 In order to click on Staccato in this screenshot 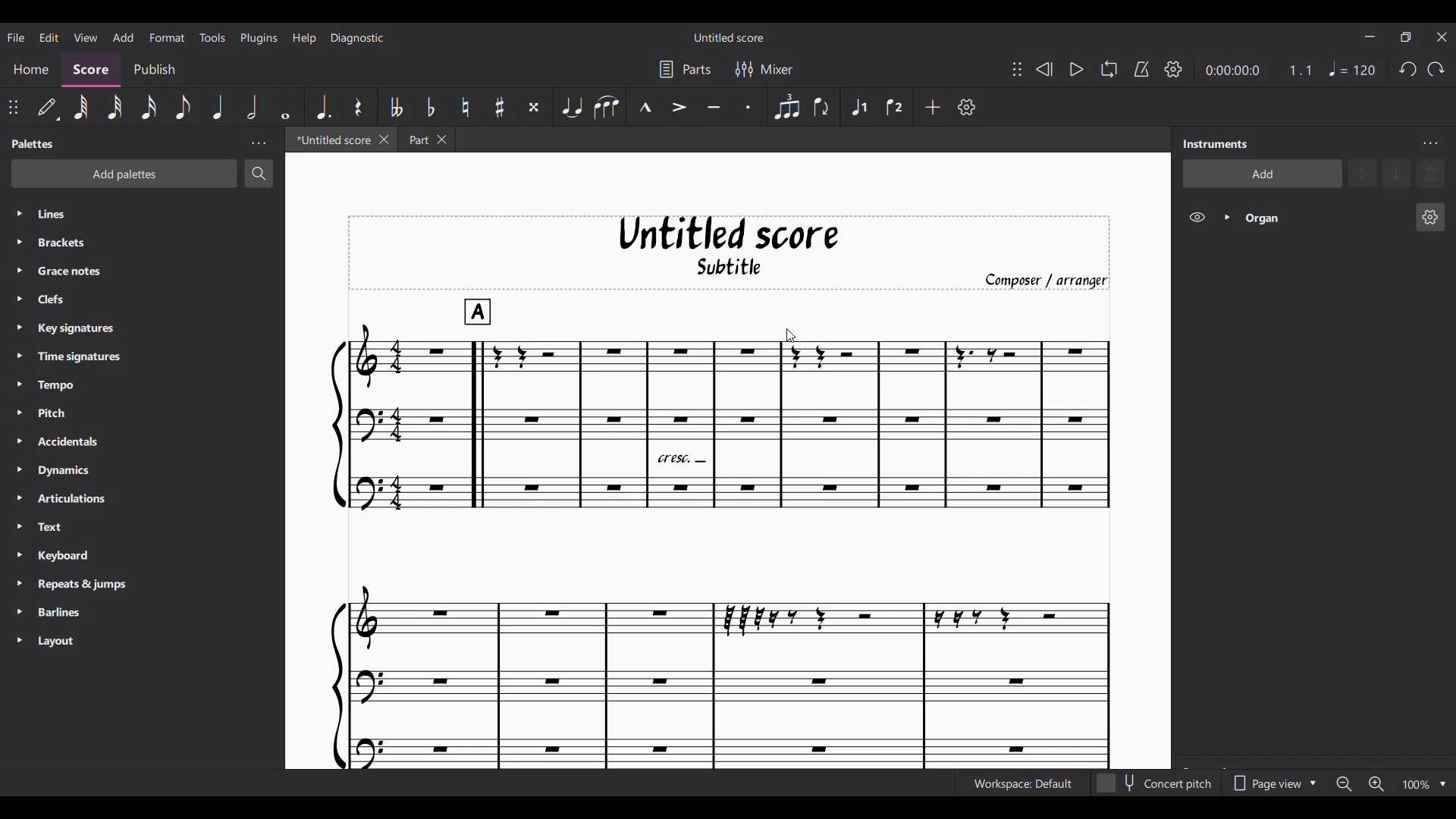, I will do `click(748, 108)`.